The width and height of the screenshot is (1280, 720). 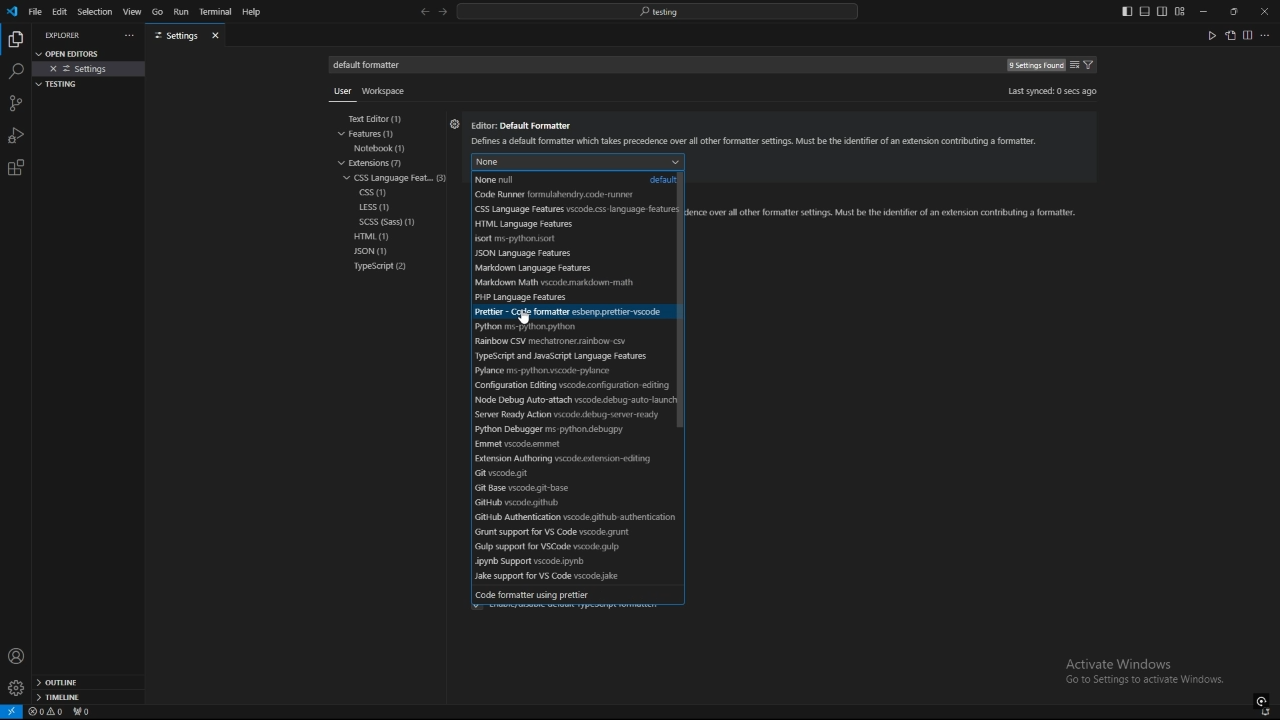 What do you see at coordinates (1262, 700) in the screenshot?
I see `GO LIVE` at bounding box center [1262, 700].